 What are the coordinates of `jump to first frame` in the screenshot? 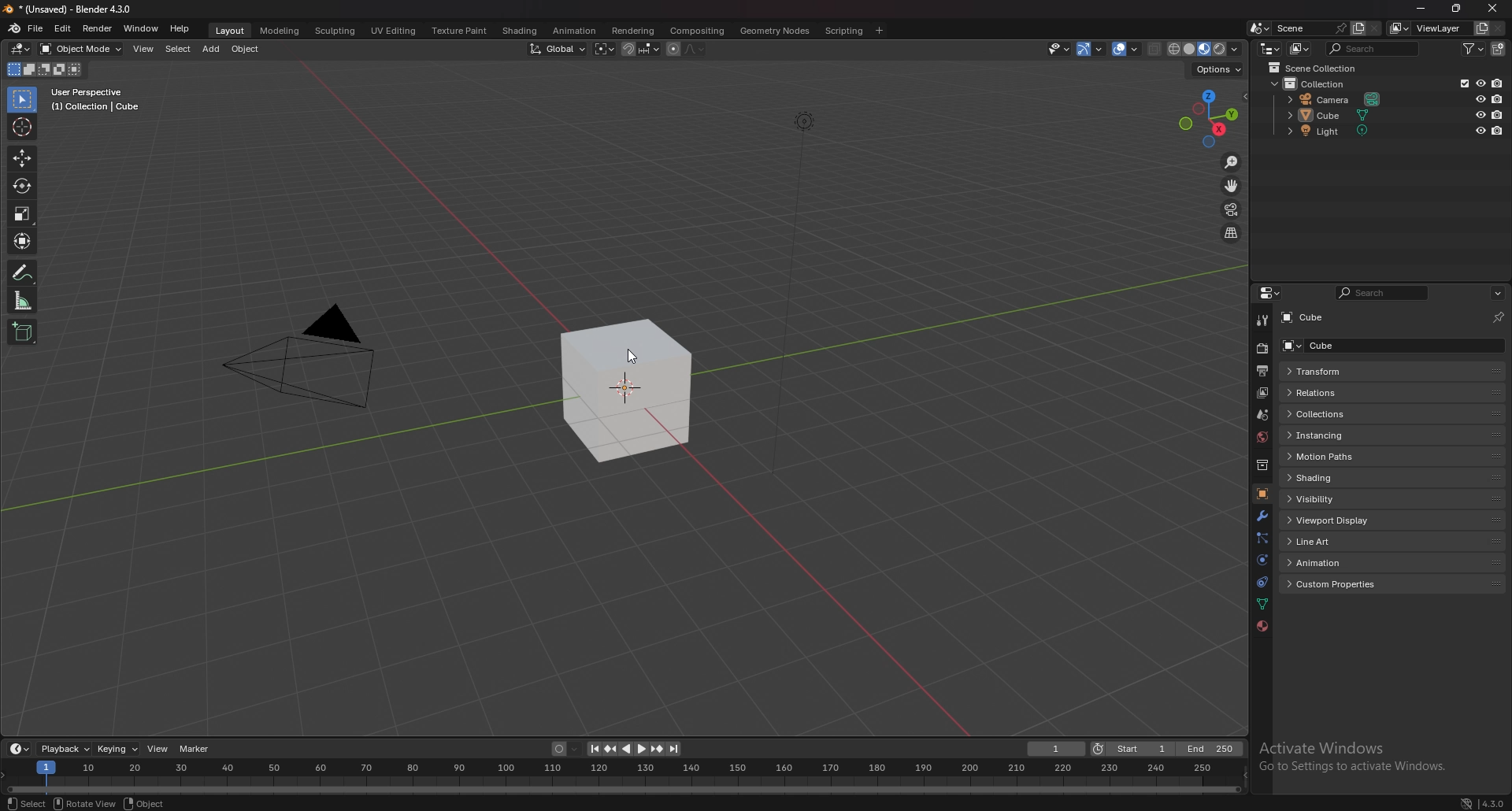 It's located at (595, 749).